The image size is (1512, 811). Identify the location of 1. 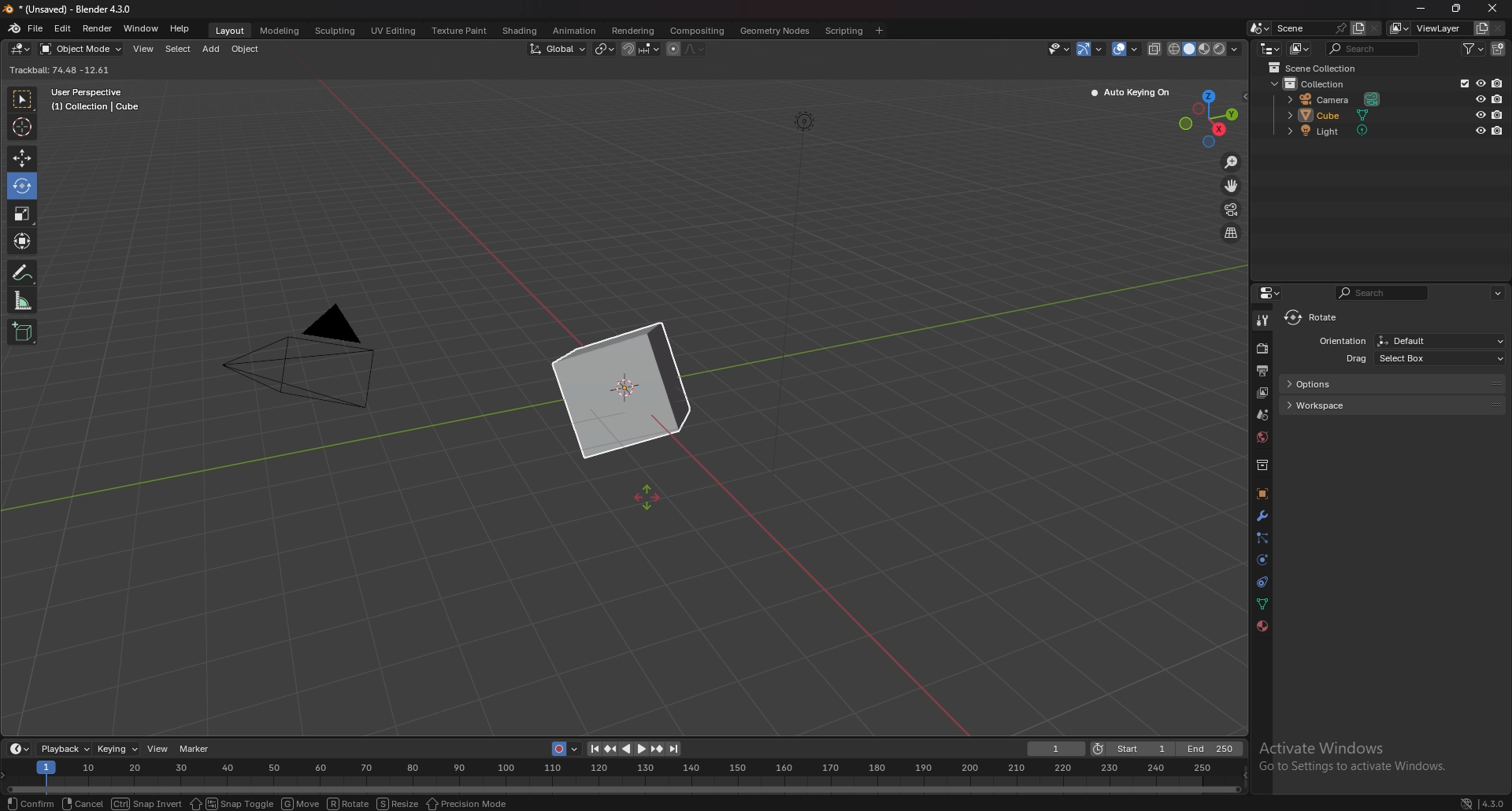
(1055, 749).